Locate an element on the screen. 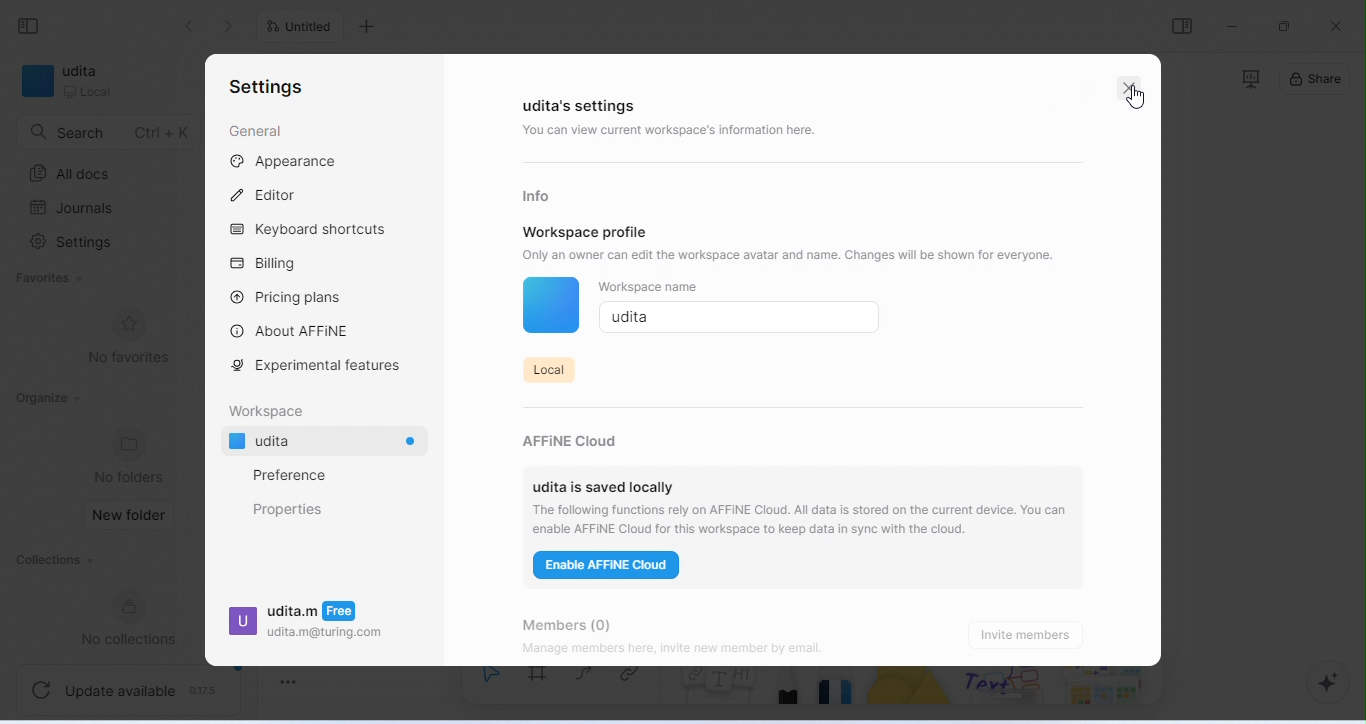 The width and height of the screenshot is (1366, 724). billing is located at coordinates (269, 264).